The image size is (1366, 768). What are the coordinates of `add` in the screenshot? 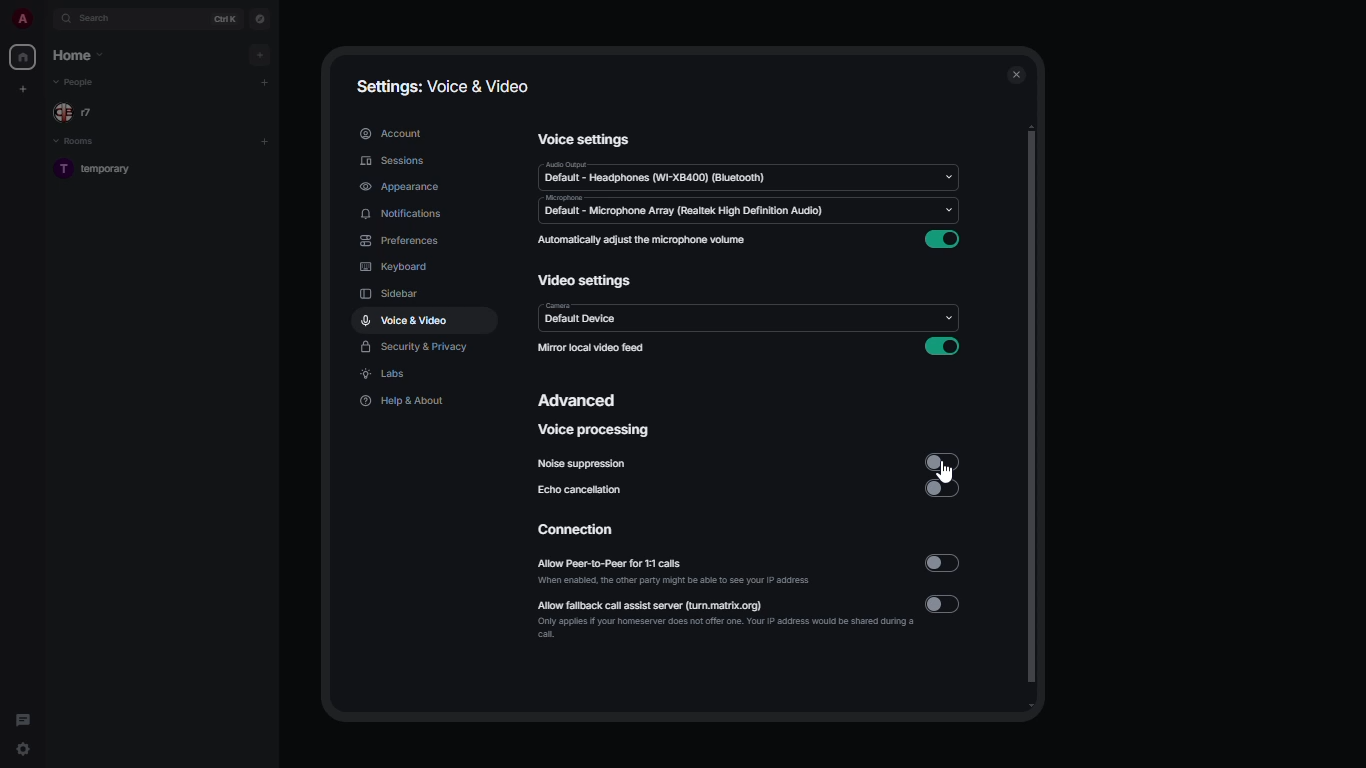 It's located at (266, 141).